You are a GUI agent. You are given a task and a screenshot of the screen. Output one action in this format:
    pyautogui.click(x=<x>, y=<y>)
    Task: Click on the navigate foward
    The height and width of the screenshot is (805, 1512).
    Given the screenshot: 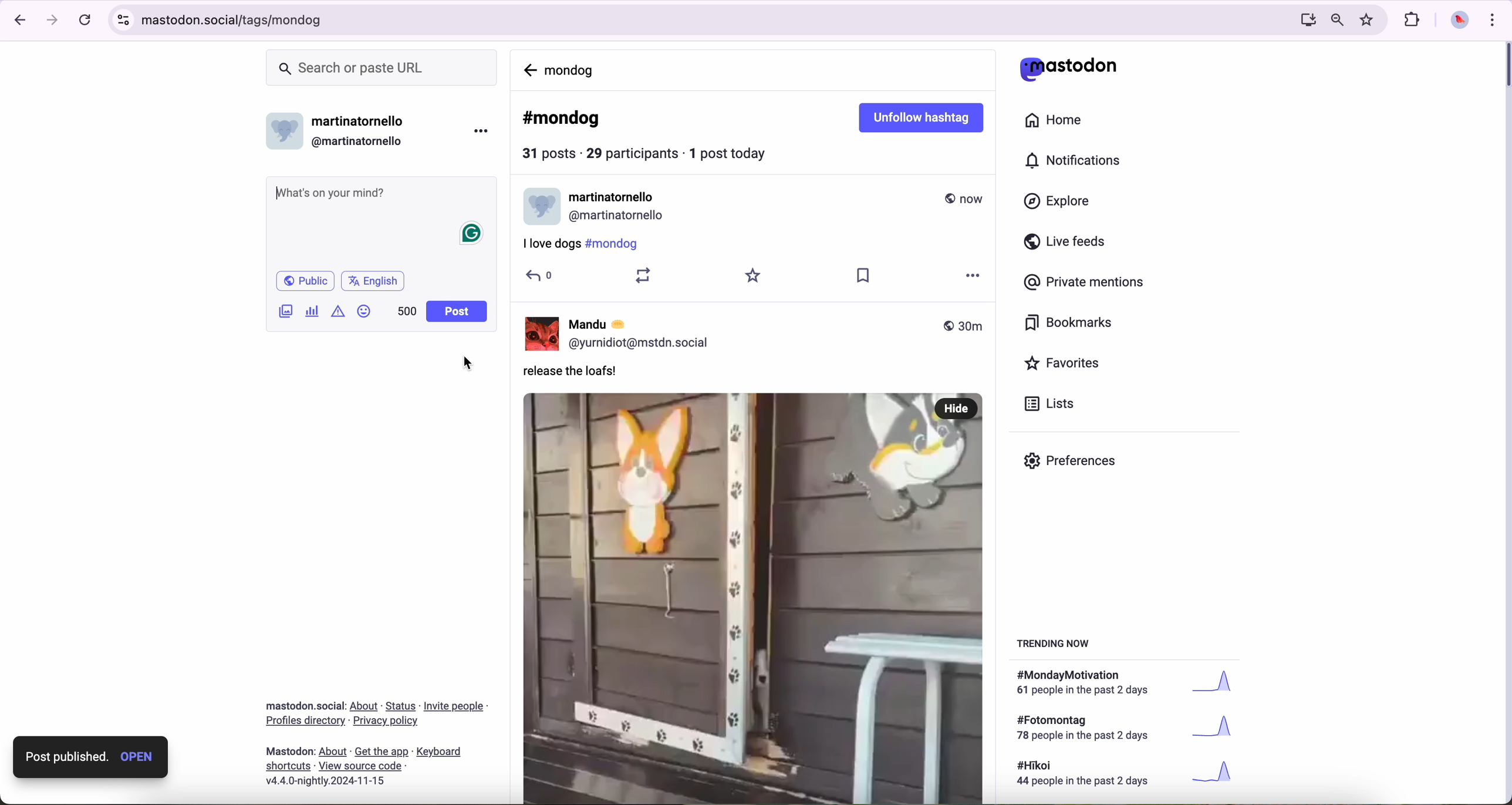 What is the action you would take?
    pyautogui.click(x=54, y=21)
    